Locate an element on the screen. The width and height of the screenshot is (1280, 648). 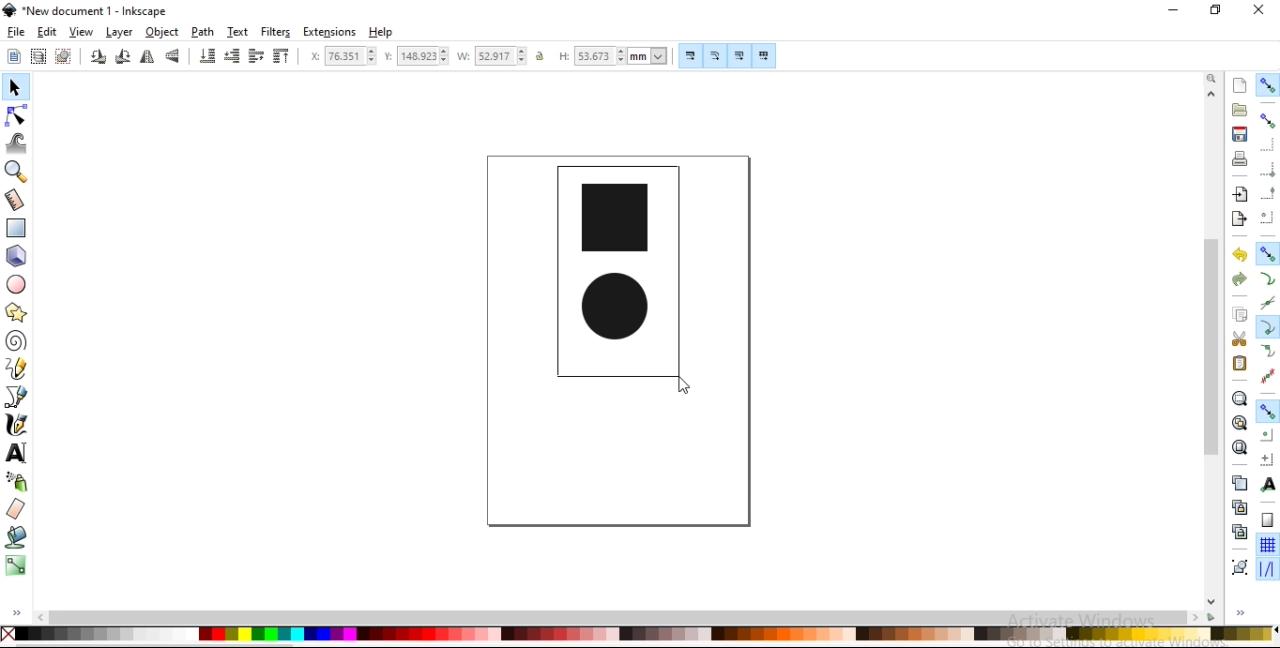
rotate 90 clockwise is located at coordinates (122, 58).